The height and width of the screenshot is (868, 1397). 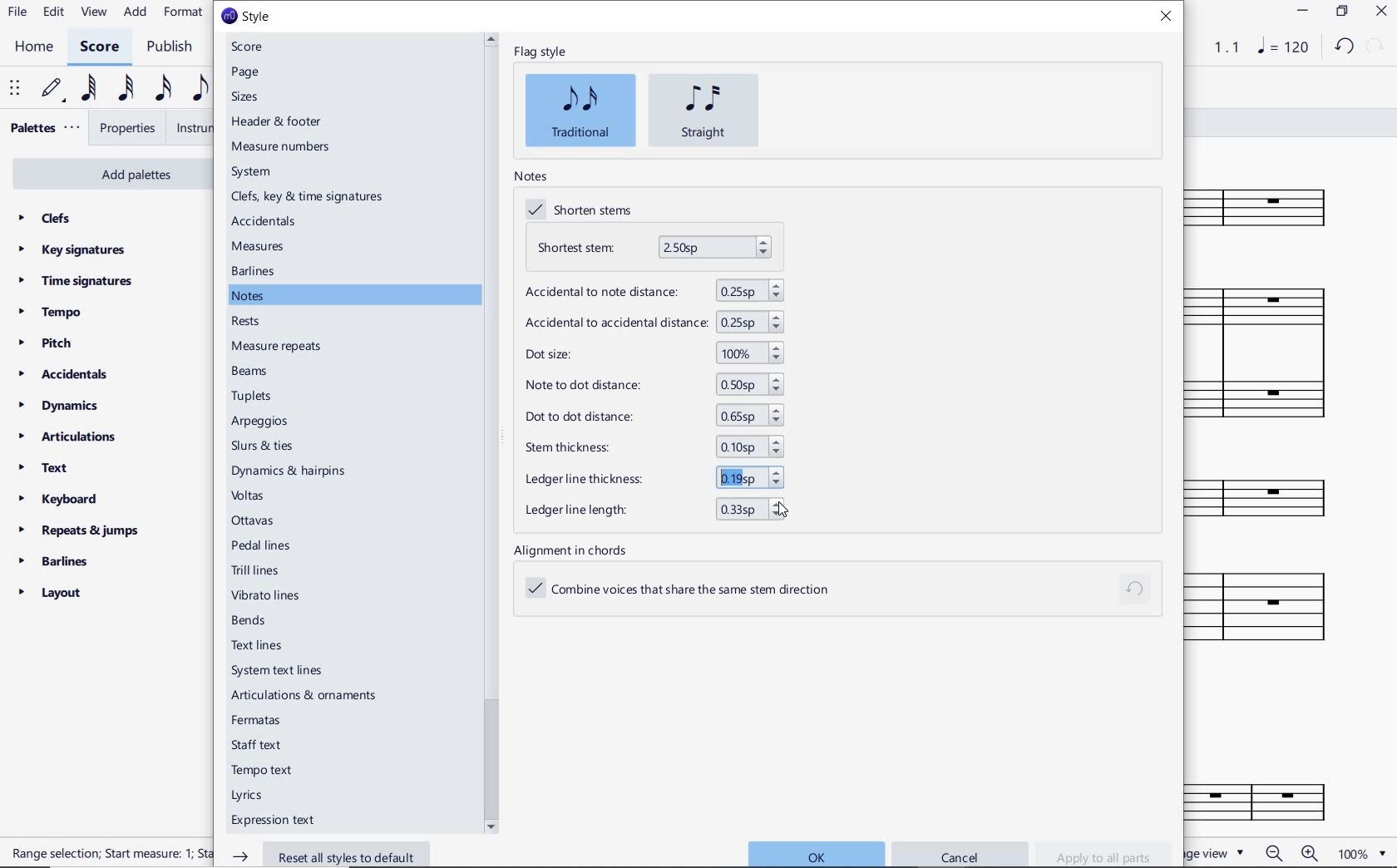 I want to click on publish, so click(x=173, y=47).